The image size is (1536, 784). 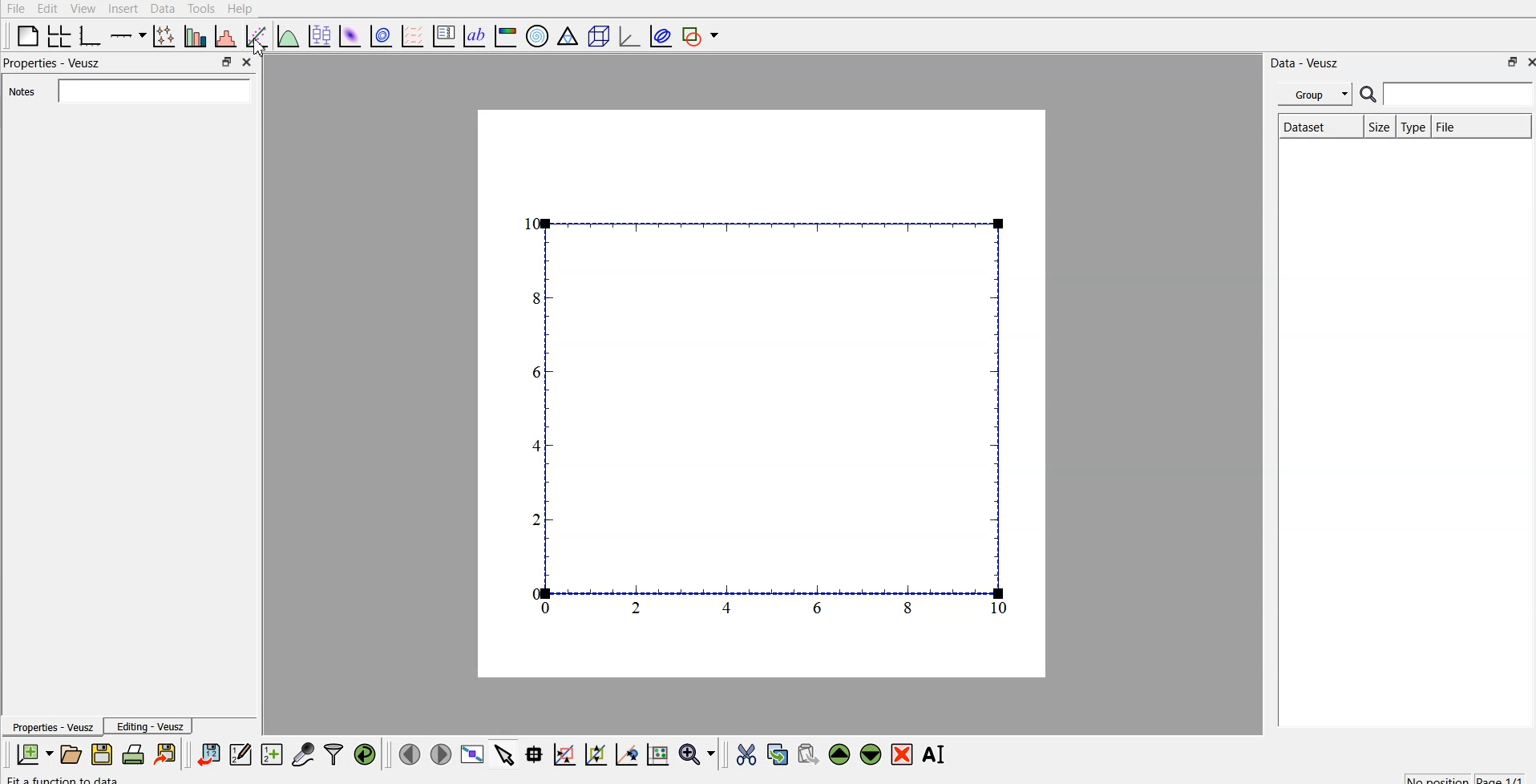 I want to click on click to recenter graph axes, so click(x=629, y=755).